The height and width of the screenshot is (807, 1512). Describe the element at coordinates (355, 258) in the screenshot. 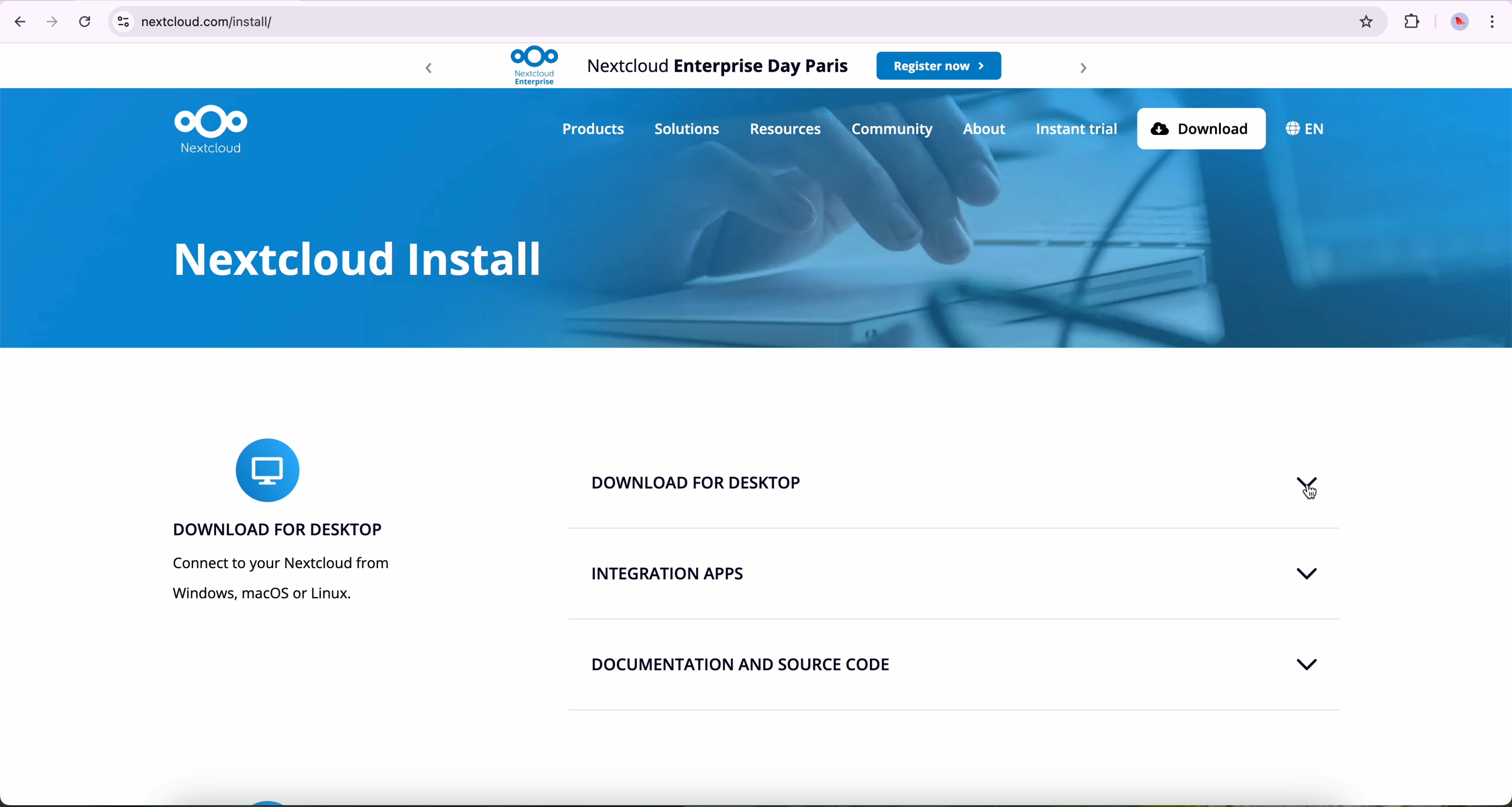

I see `Nextcloud install` at that location.